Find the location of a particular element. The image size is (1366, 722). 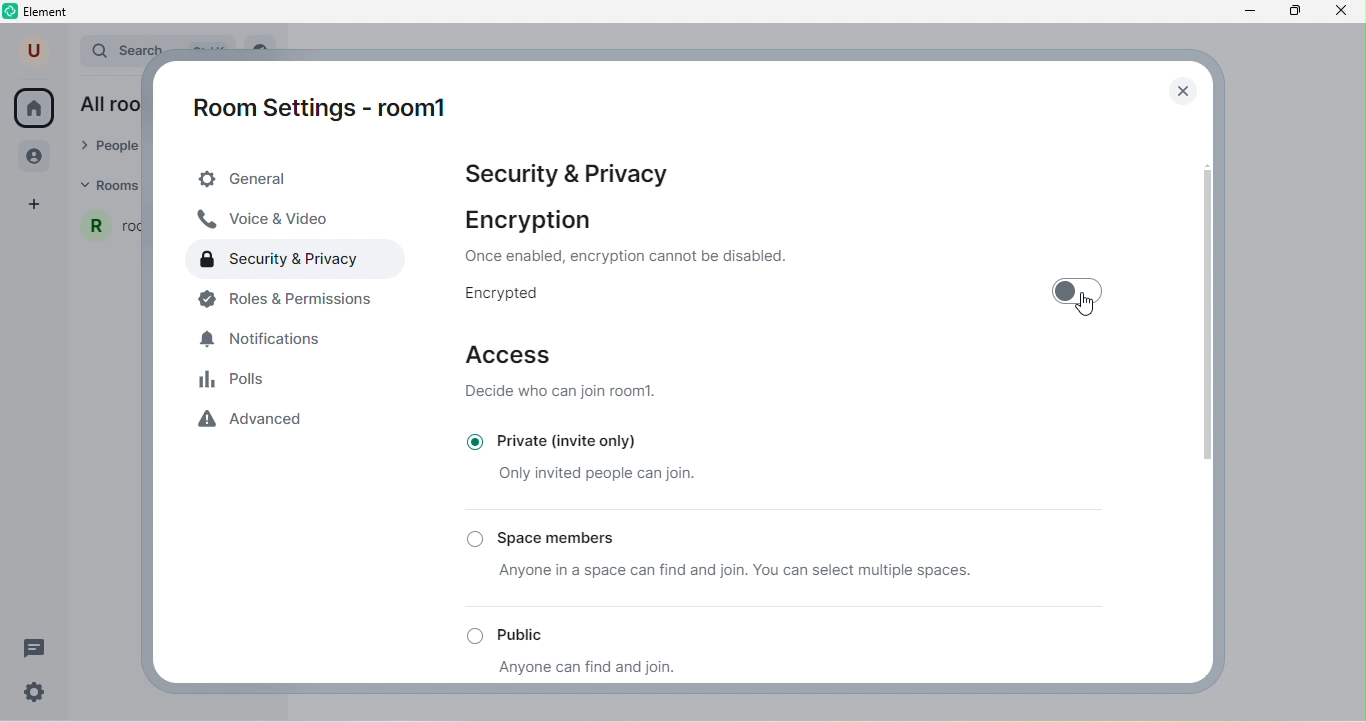

minimize is located at coordinates (1249, 13).